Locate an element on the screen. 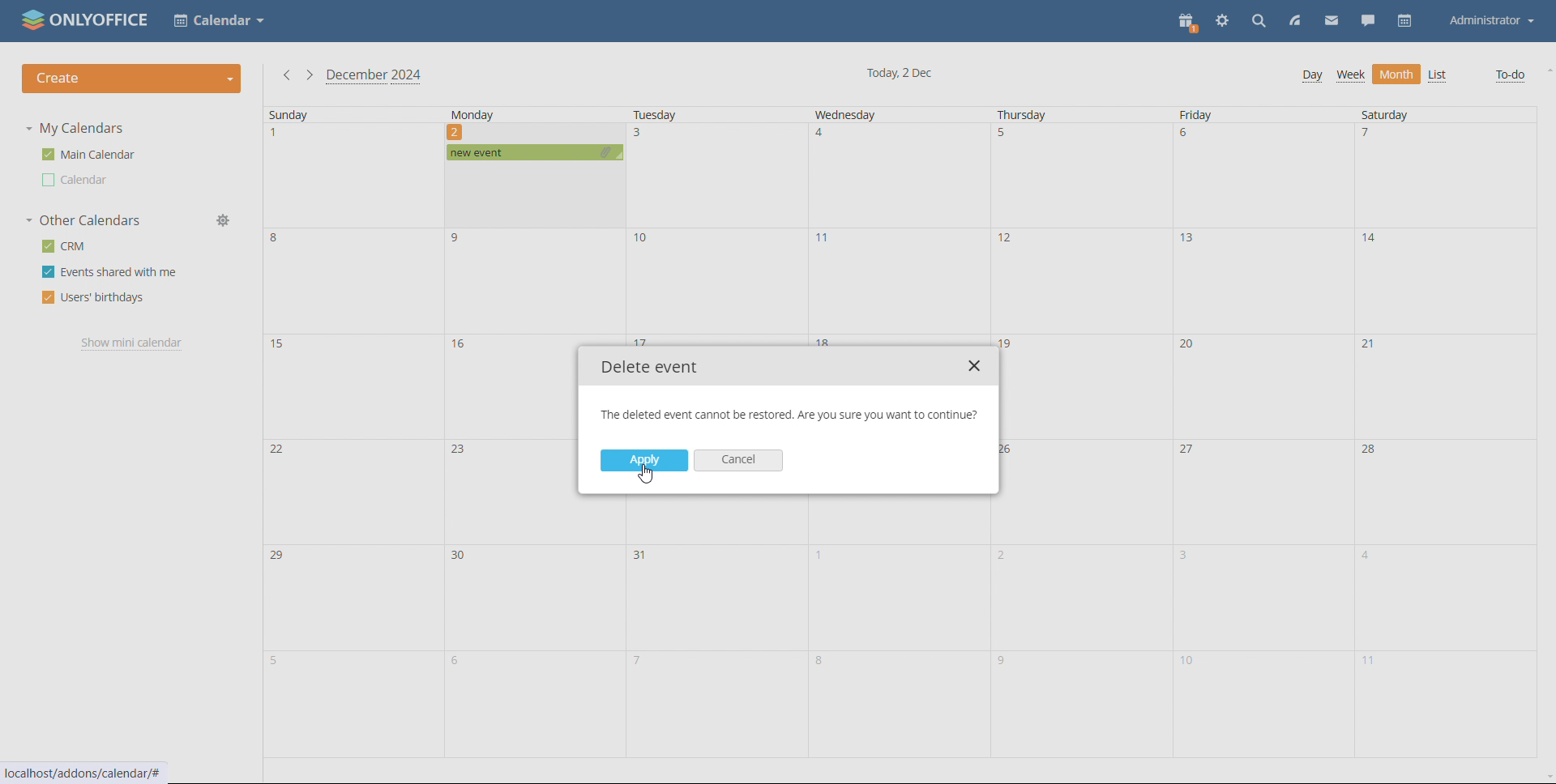 Image resolution: width=1556 pixels, height=784 pixels. To-do is located at coordinates (1510, 75).